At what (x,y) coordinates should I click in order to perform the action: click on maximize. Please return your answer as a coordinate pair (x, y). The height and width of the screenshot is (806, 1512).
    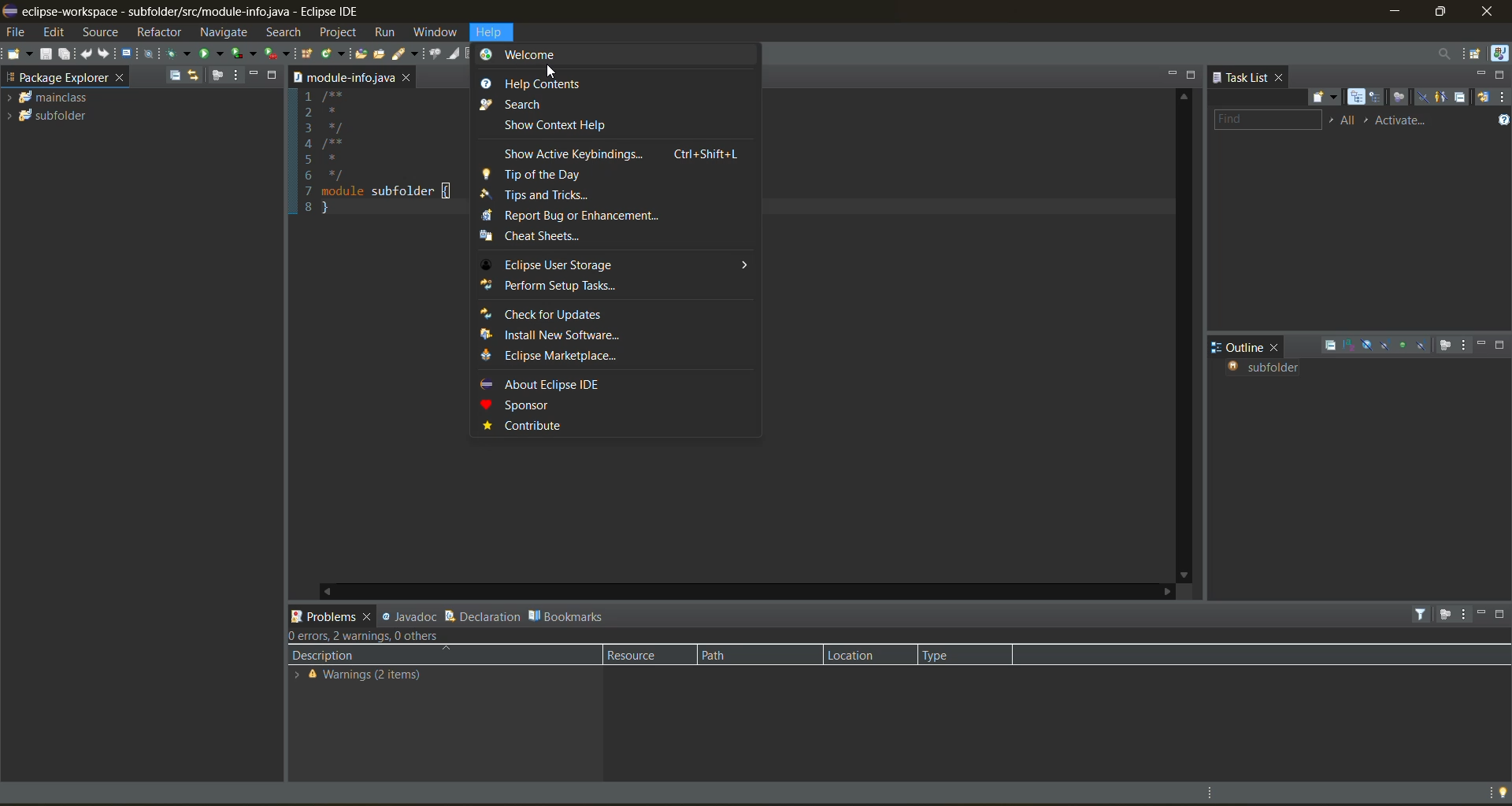
    Looking at the image, I should click on (1503, 74).